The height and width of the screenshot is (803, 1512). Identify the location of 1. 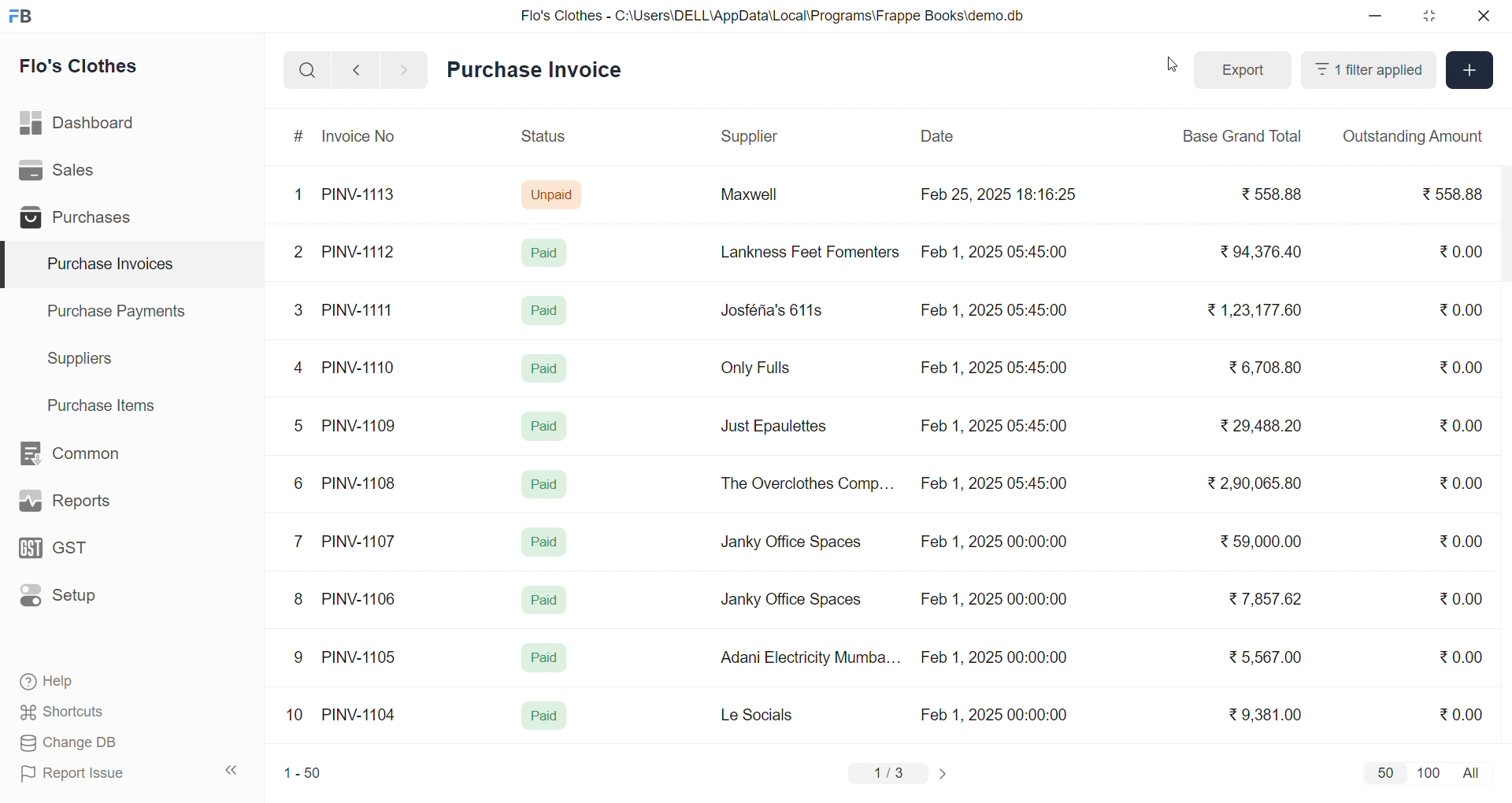
(302, 195).